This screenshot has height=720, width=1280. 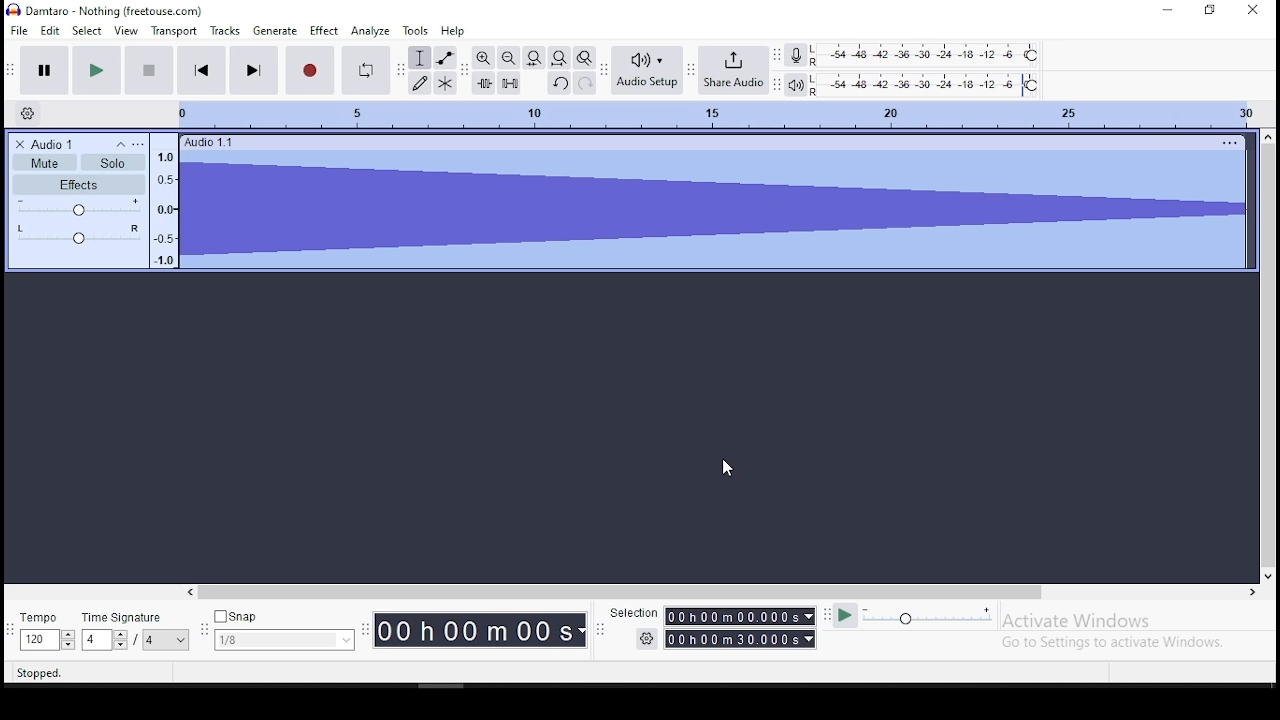 I want to click on audio, so click(x=68, y=145).